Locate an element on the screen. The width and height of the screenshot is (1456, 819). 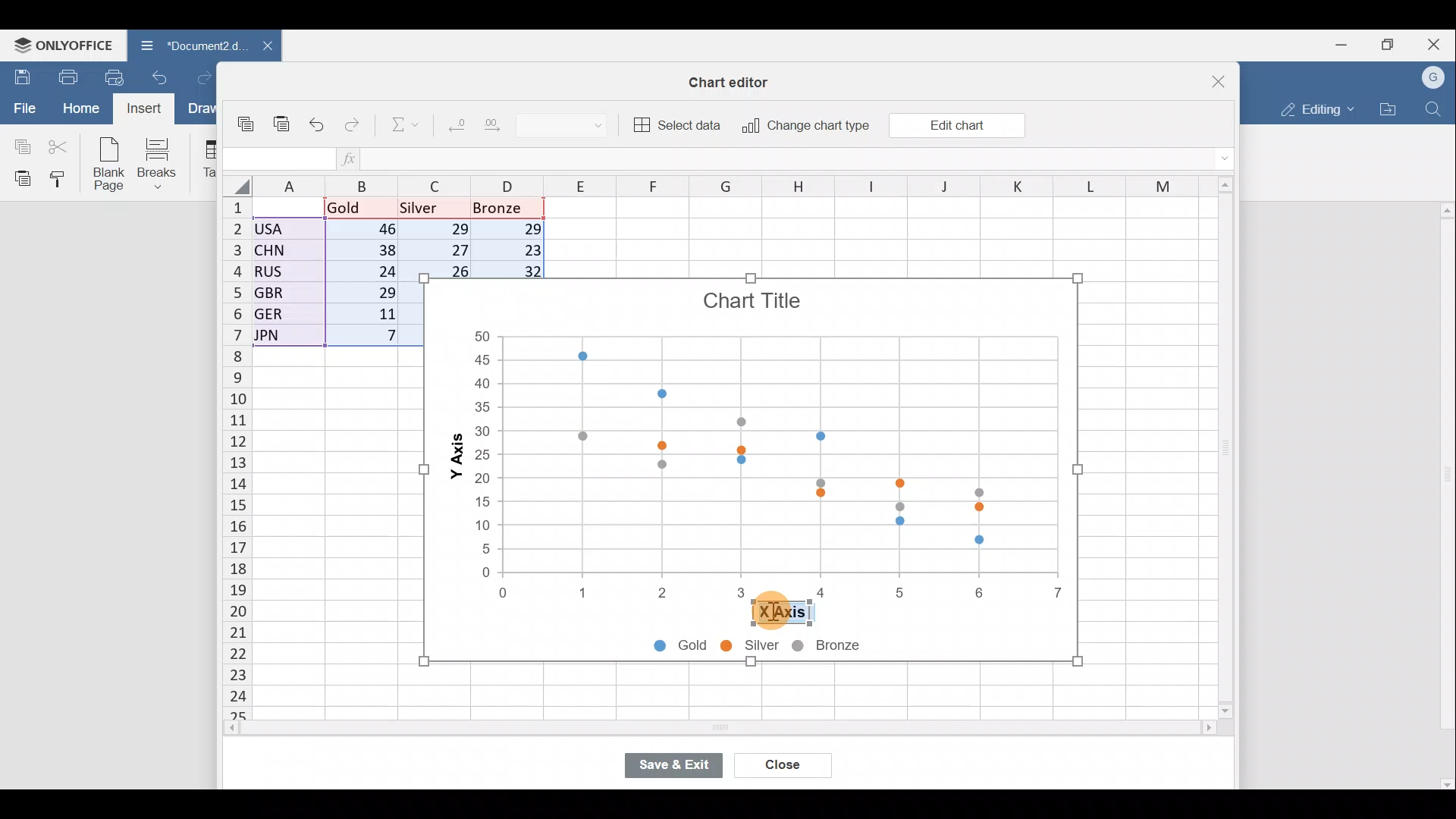
Paste is located at coordinates (281, 117).